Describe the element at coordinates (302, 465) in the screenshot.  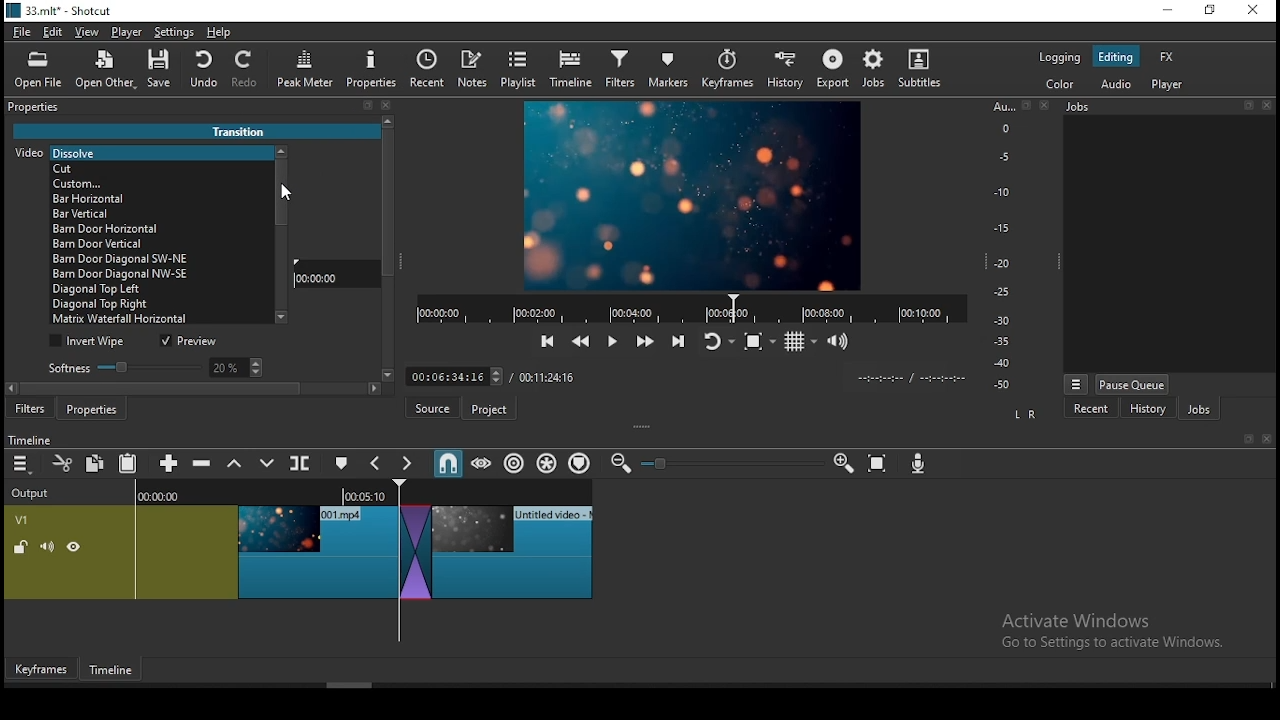
I see `split at playhead` at that location.